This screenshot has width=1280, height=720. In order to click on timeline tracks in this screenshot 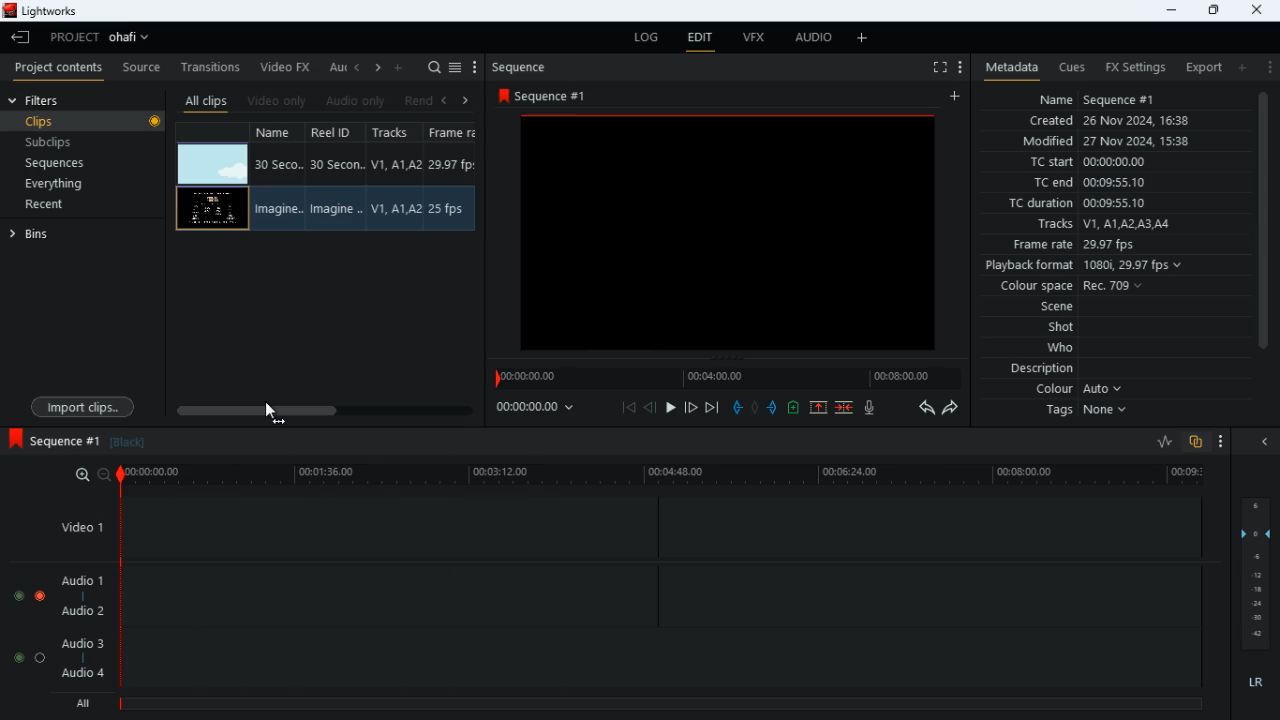, I will do `click(662, 591)`.